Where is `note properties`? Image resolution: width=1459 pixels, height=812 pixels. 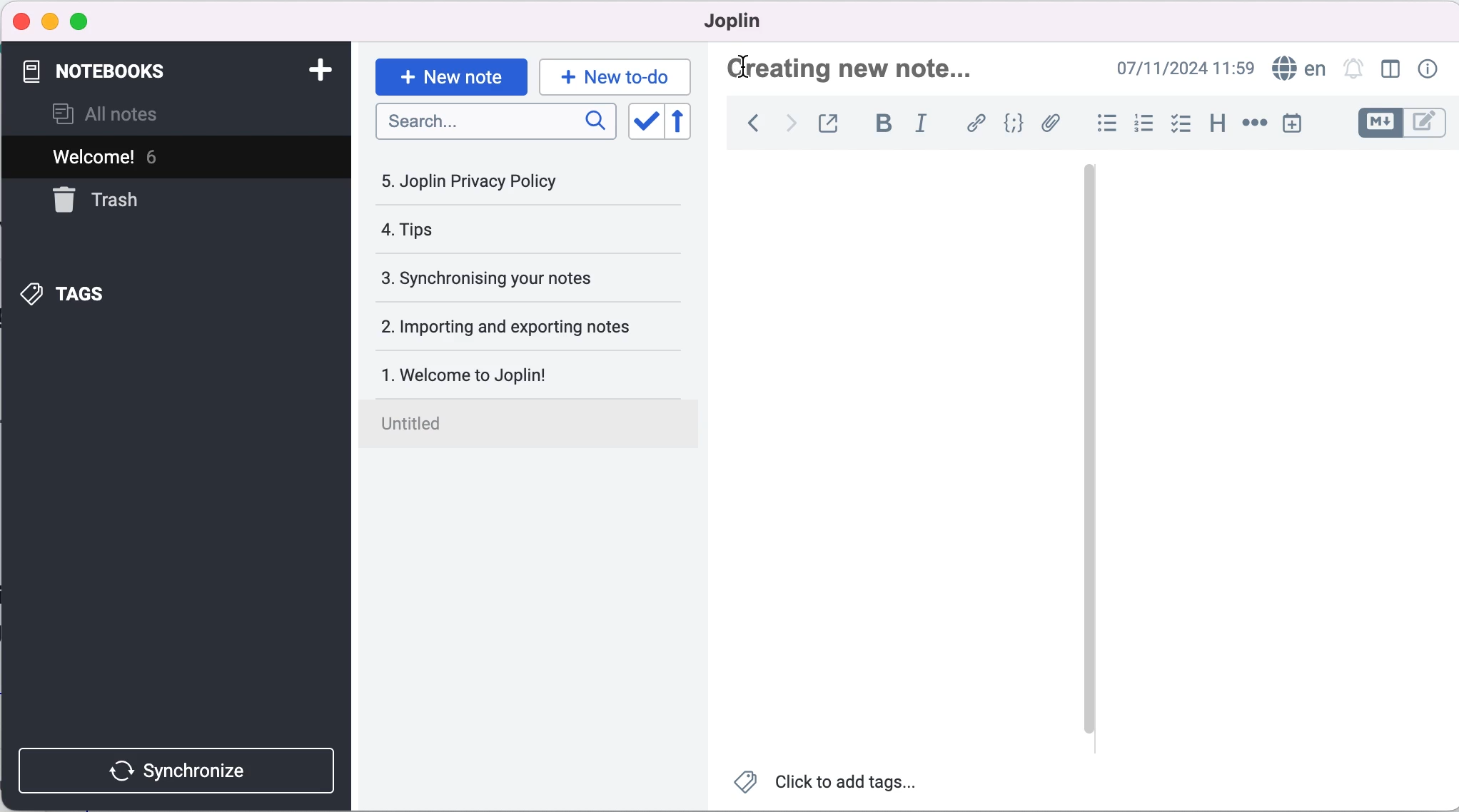
note properties is located at coordinates (1426, 70).